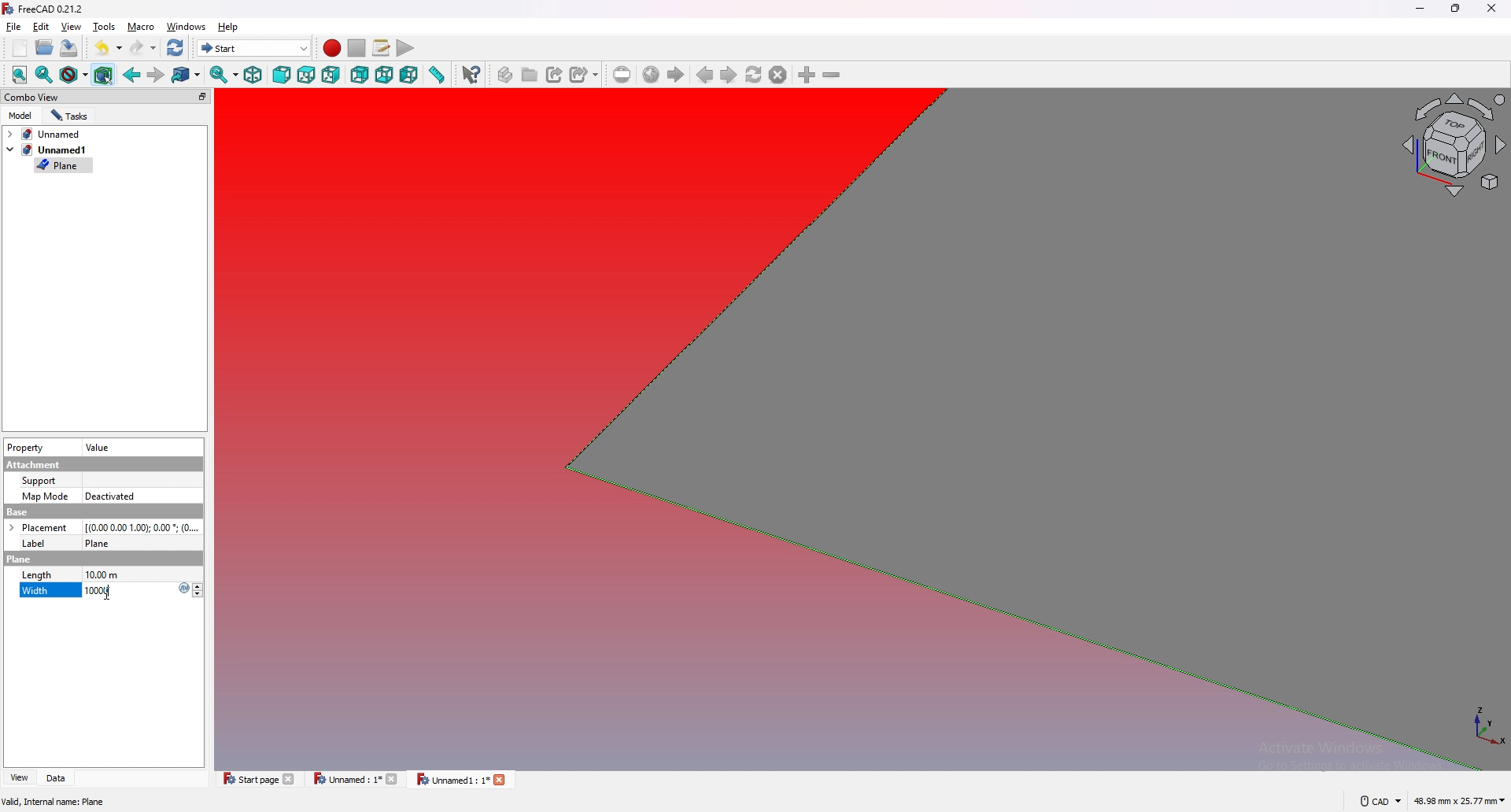 This screenshot has height=812, width=1511. I want to click on open, so click(45, 47).